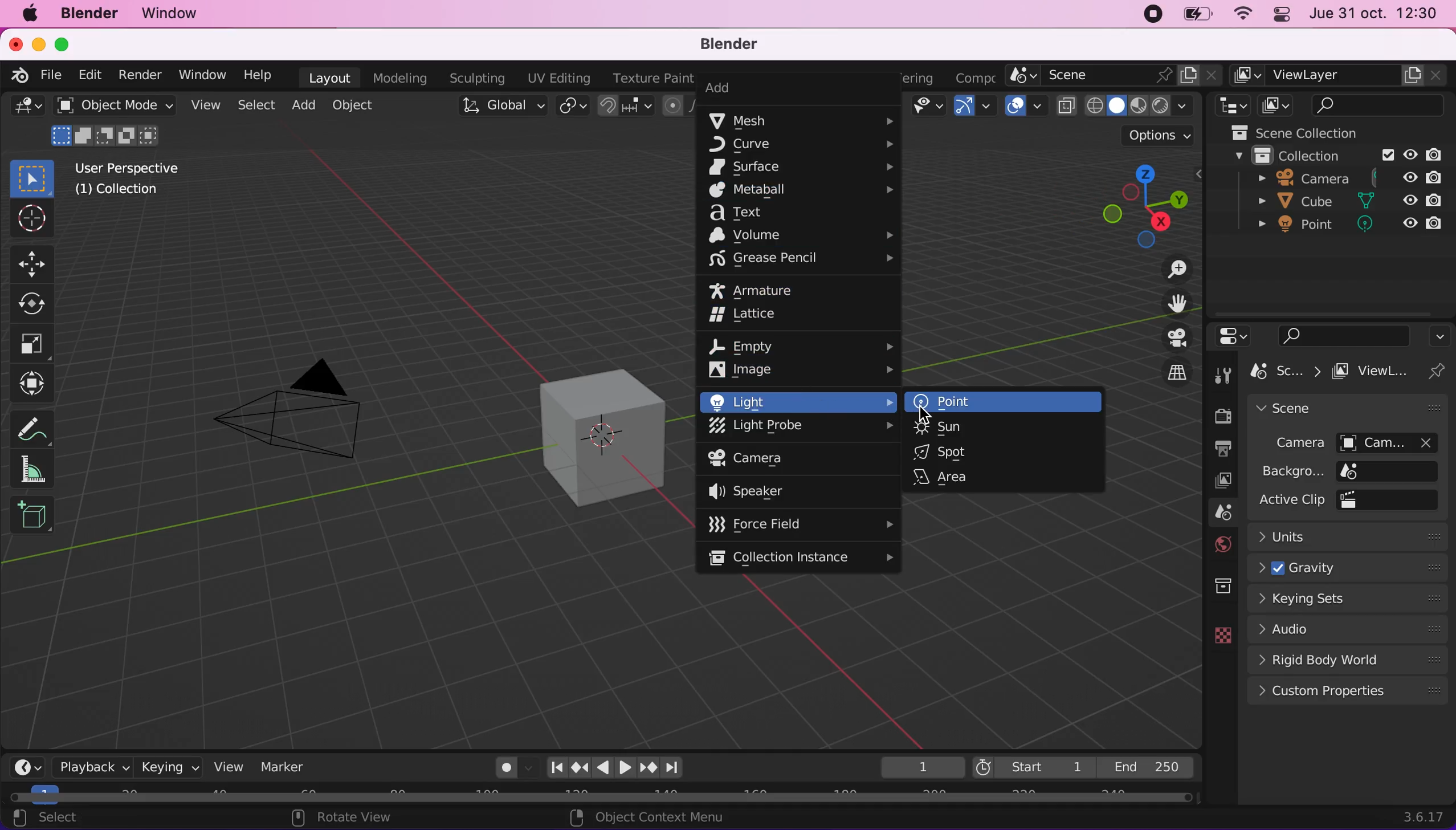 This screenshot has width=1456, height=830. I want to click on hide in viewpoint, so click(1411, 152).